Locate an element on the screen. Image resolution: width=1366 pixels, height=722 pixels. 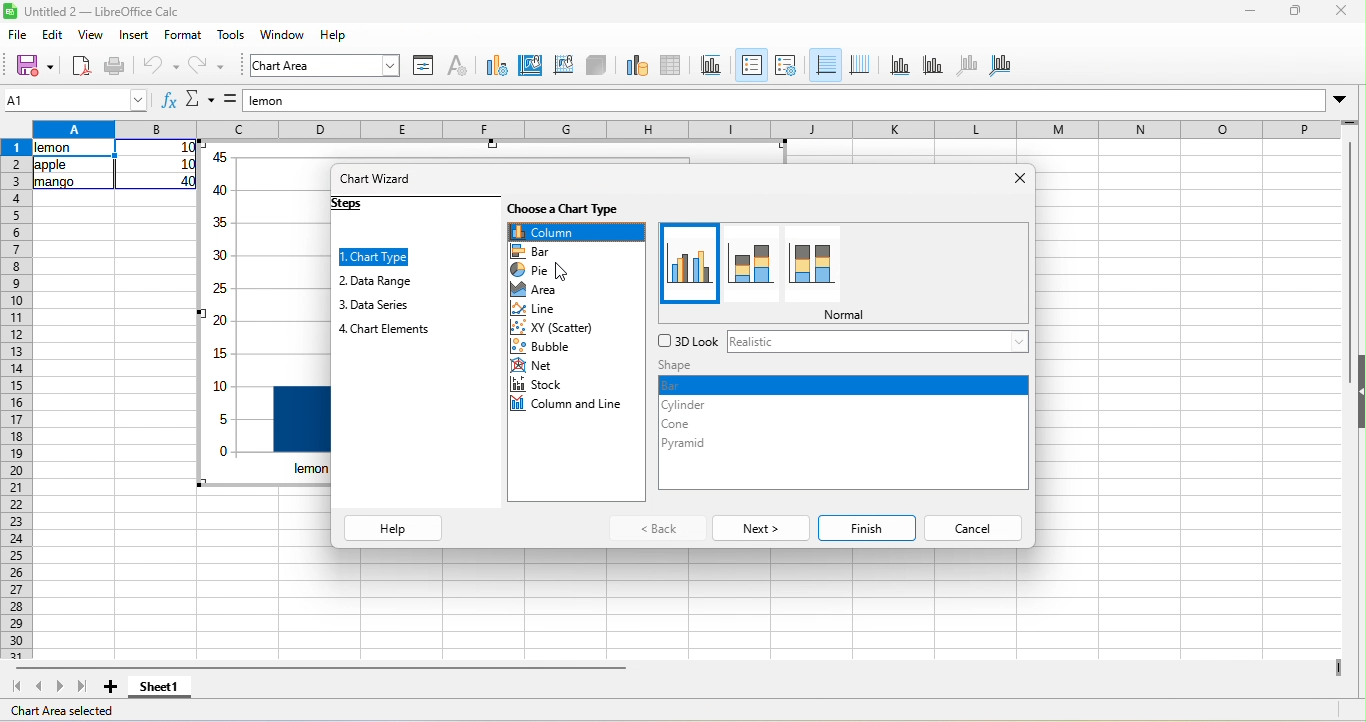
bar is located at coordinates (539, 251).